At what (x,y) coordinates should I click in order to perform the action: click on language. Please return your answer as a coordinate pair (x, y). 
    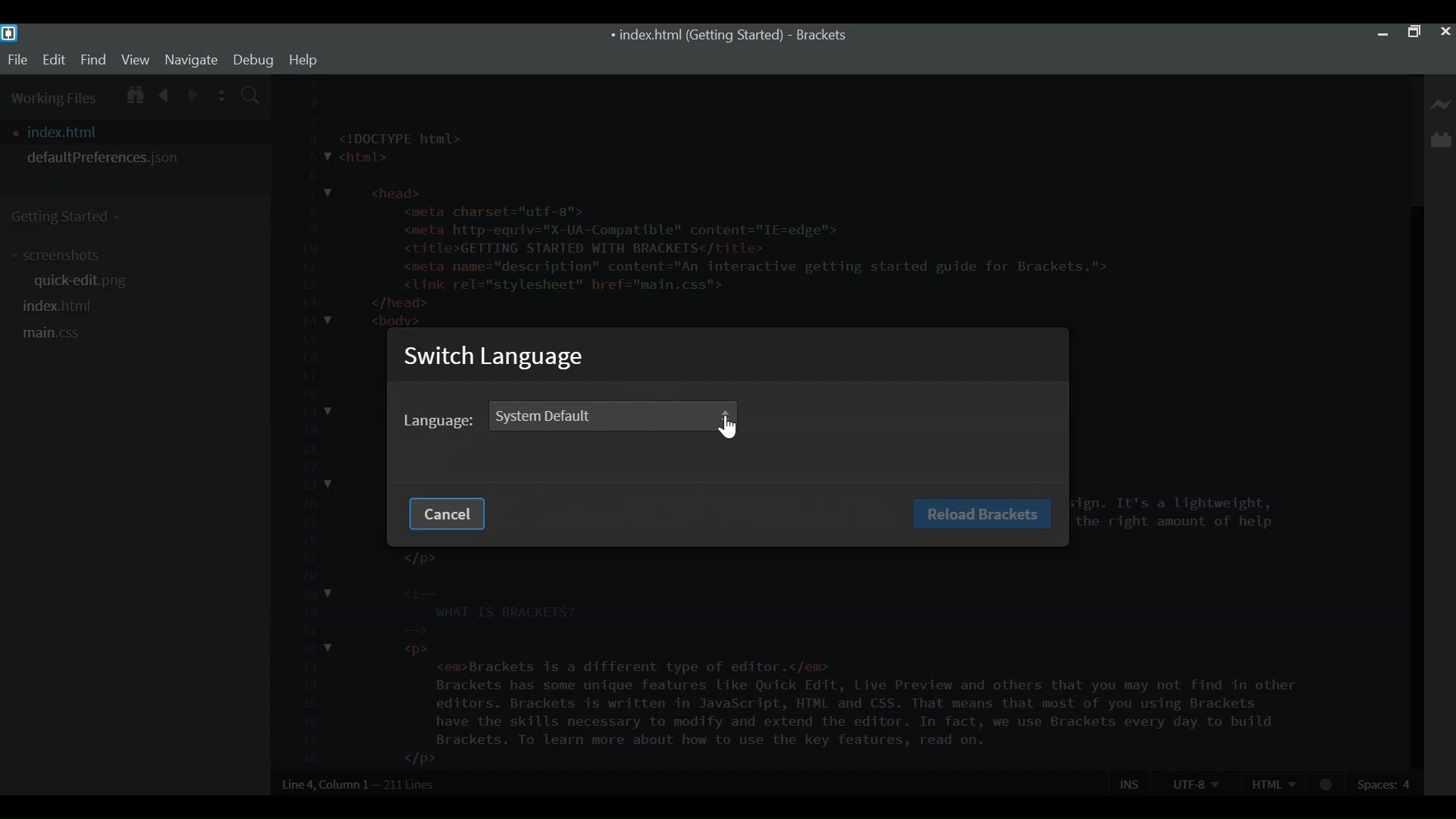
    Looking at the image, I should click on (440, 422).